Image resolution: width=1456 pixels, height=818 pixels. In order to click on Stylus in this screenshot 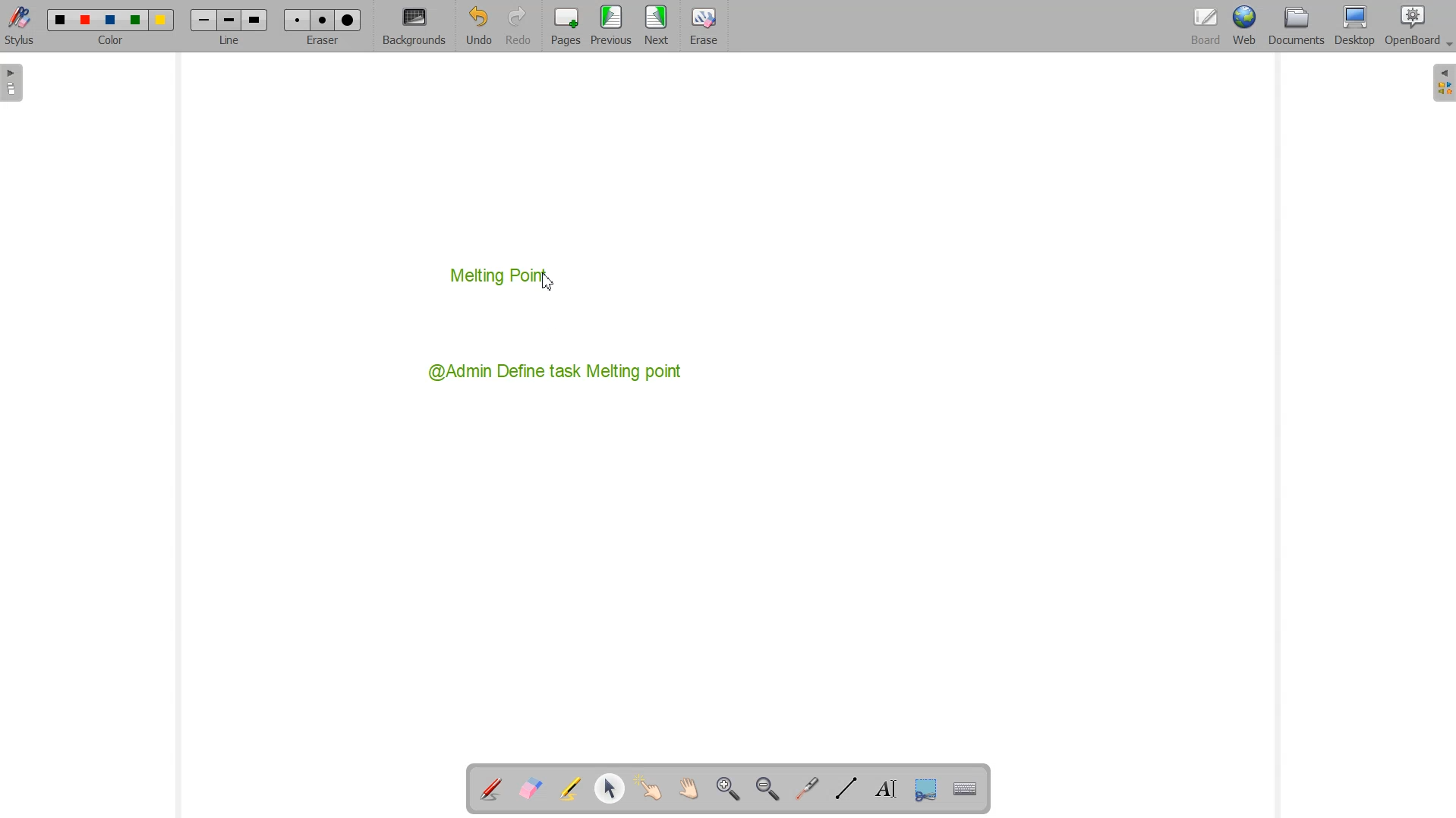, I will do `click(21, 27)`.